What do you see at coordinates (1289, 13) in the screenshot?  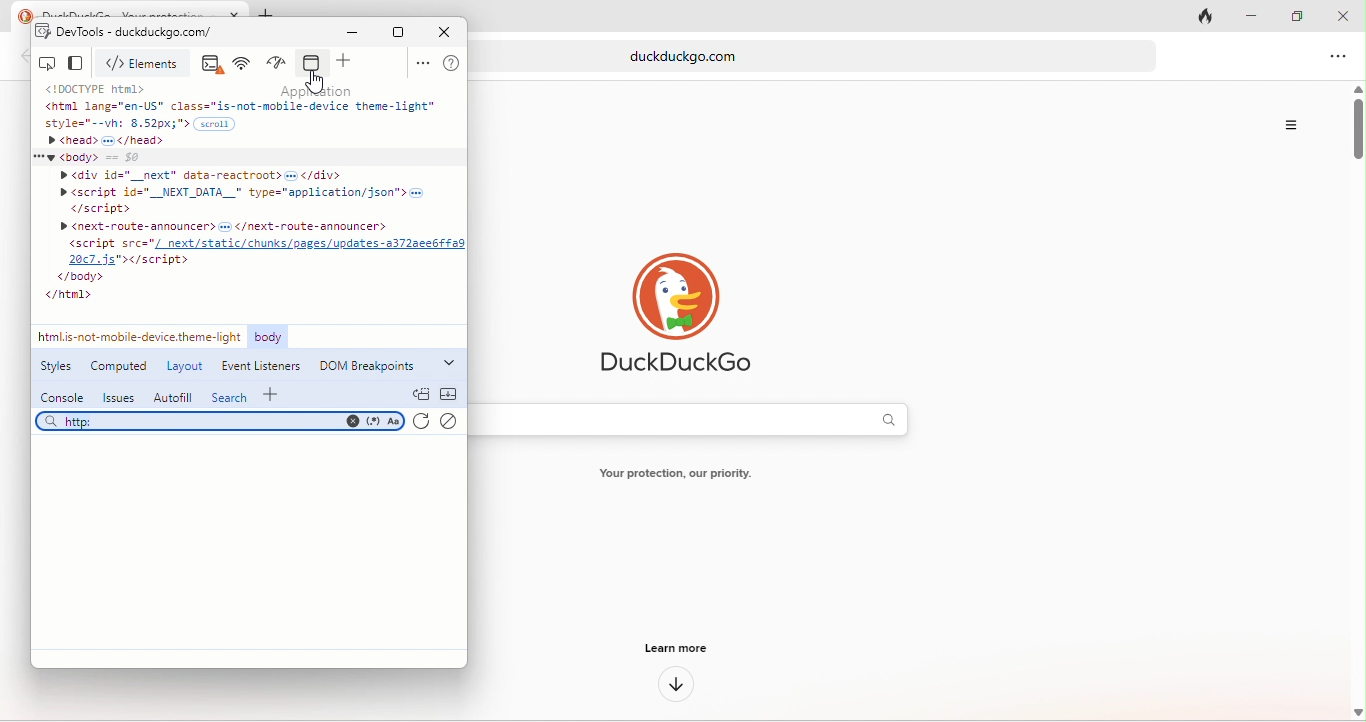 I see `maximize` at bounding box center [1289, 13].